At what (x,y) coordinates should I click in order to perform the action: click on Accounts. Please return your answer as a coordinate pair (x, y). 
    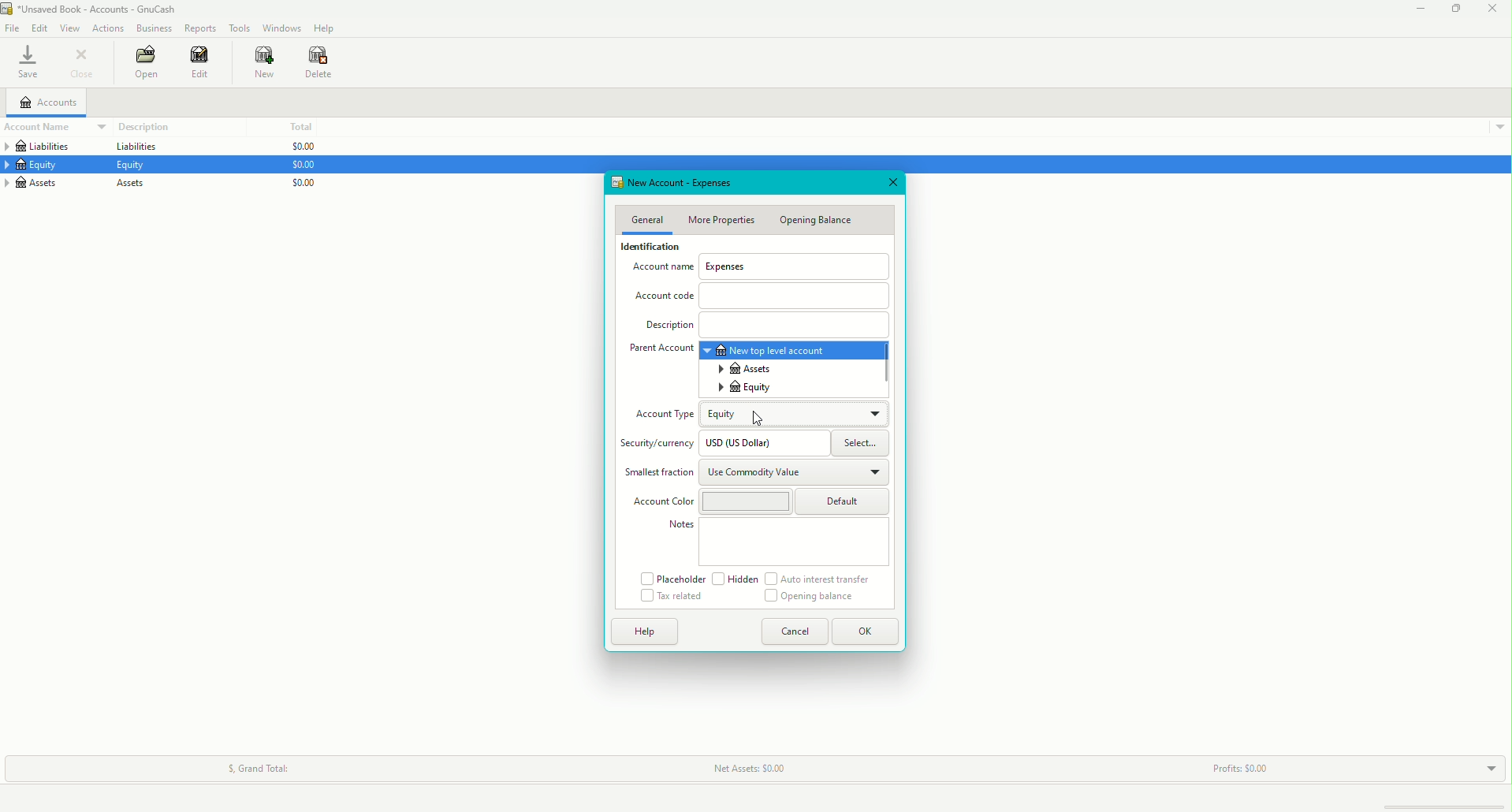
    Looking at the image, I should click on (48, 102).